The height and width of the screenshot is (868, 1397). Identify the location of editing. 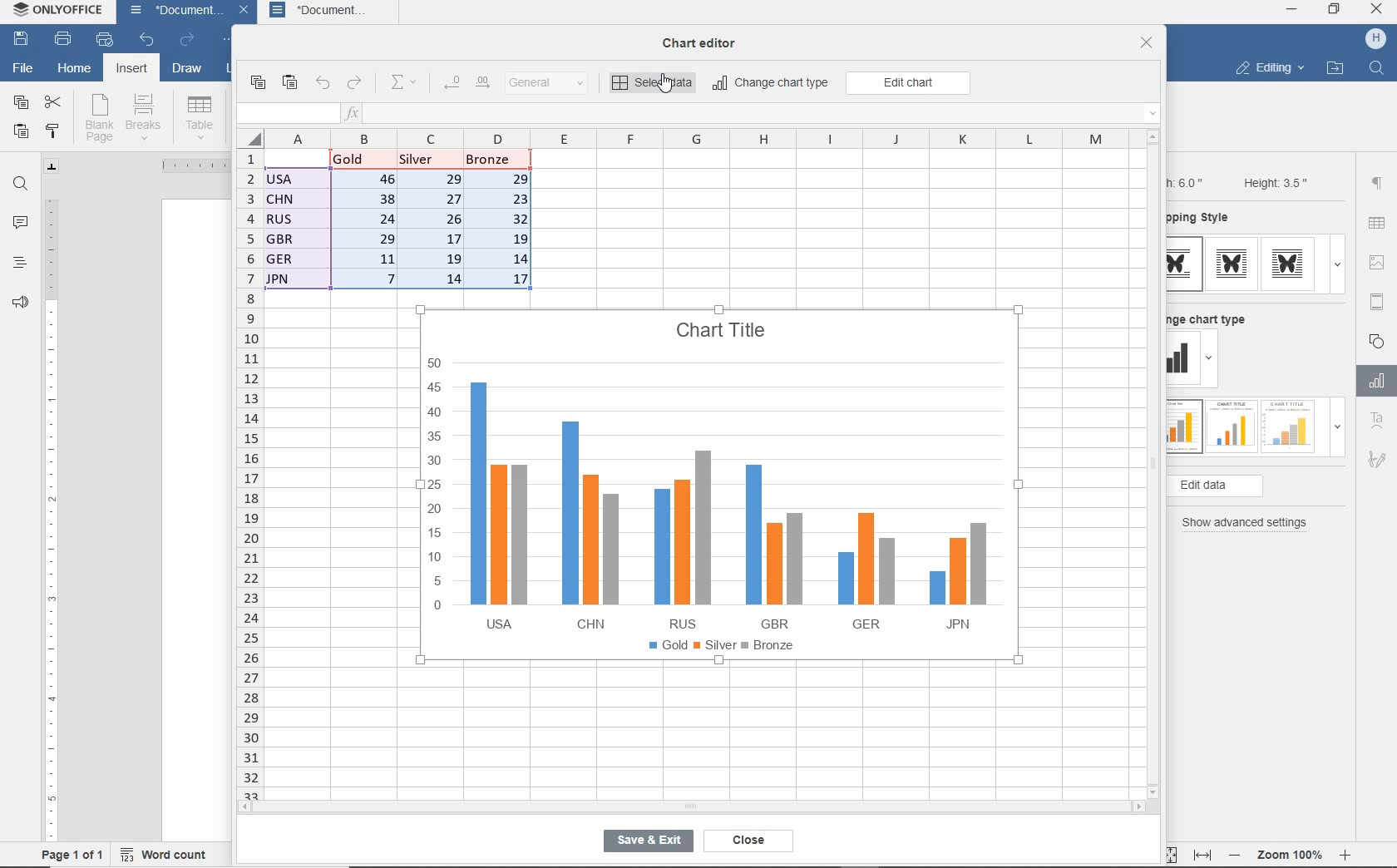
(1269, 70).